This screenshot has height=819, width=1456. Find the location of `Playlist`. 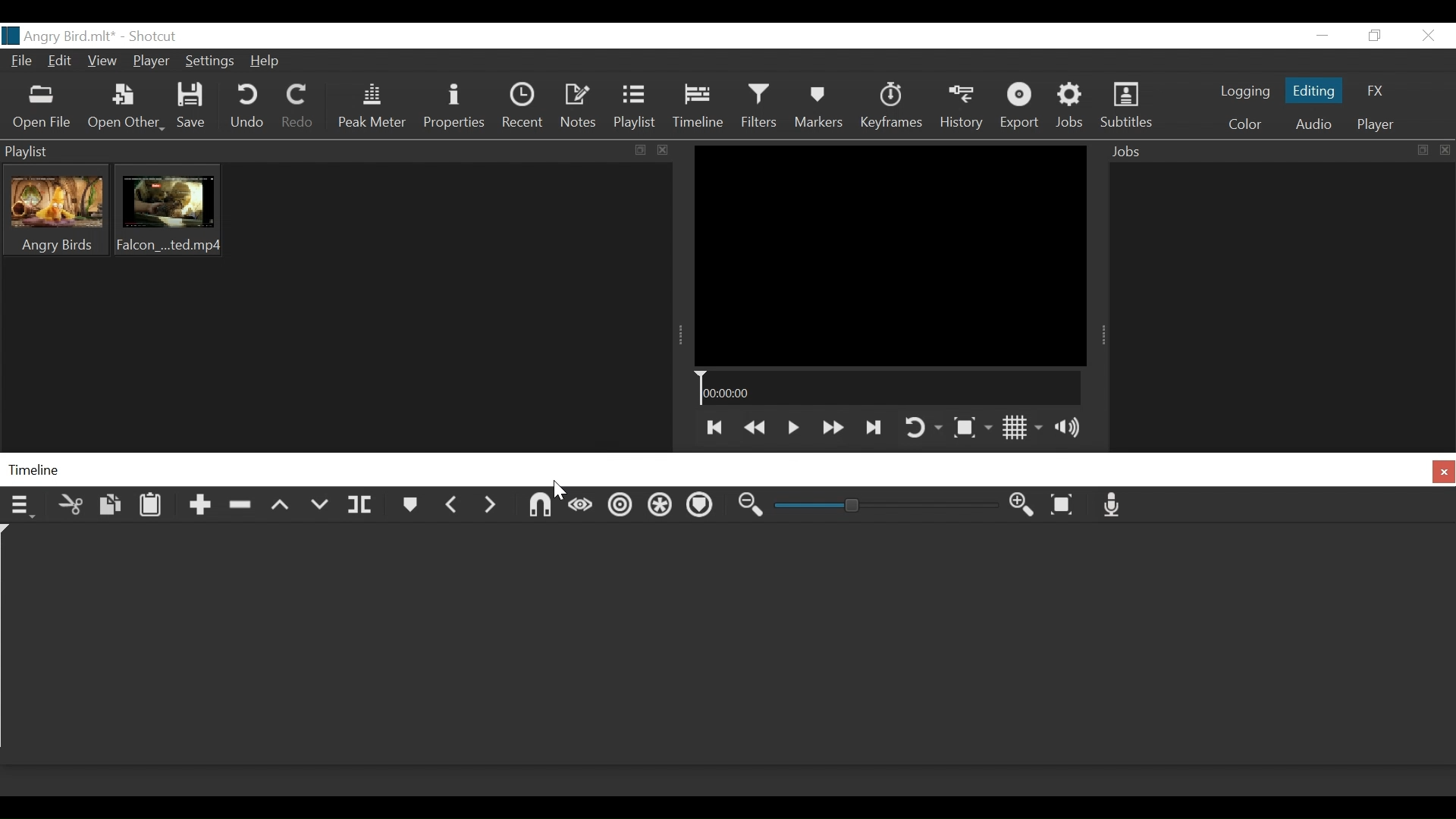

Playlist is located at coordinates (638, 108).